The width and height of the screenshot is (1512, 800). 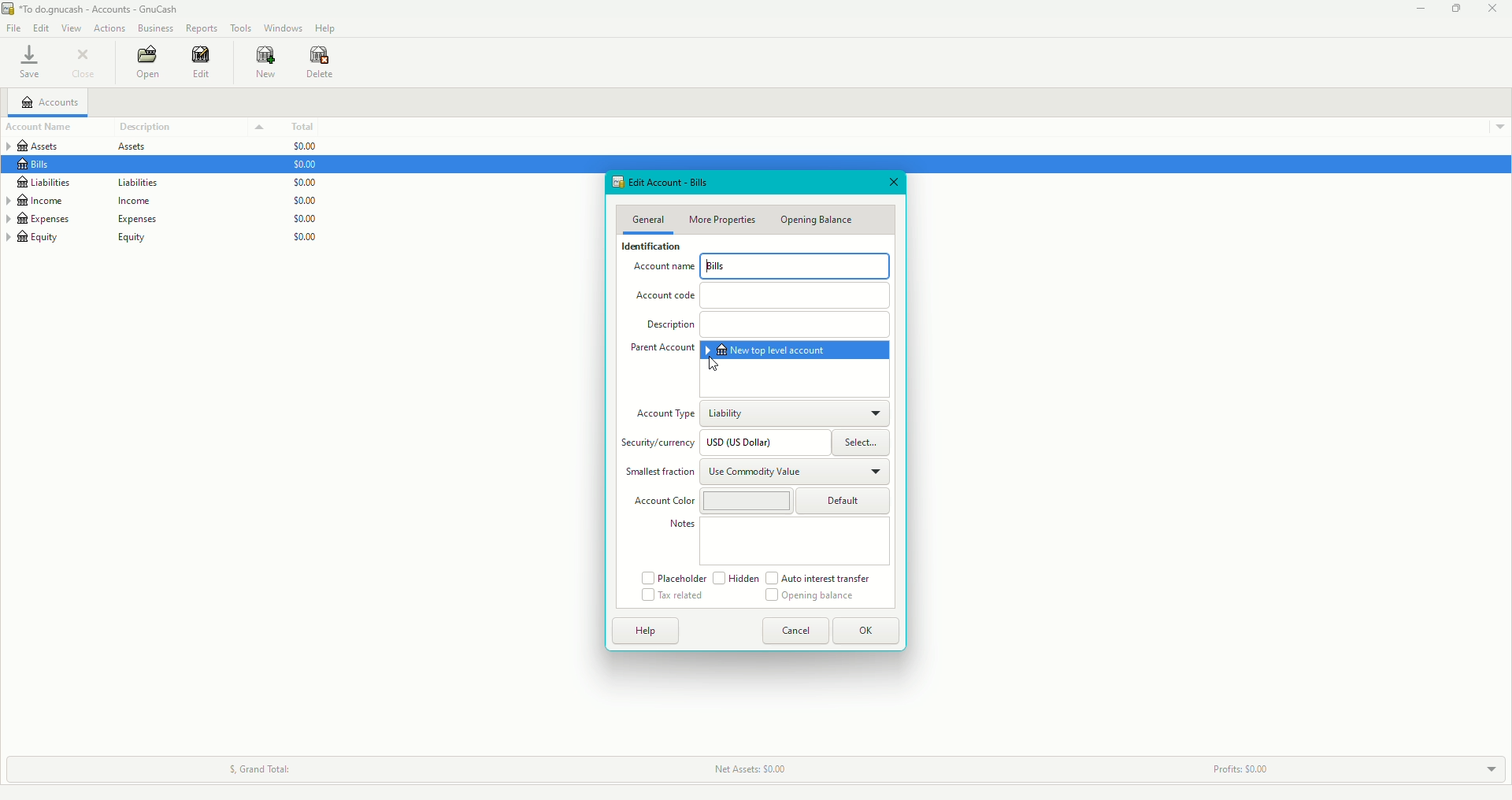 I want to click on Opening Balance, so click(x=812, y=598).